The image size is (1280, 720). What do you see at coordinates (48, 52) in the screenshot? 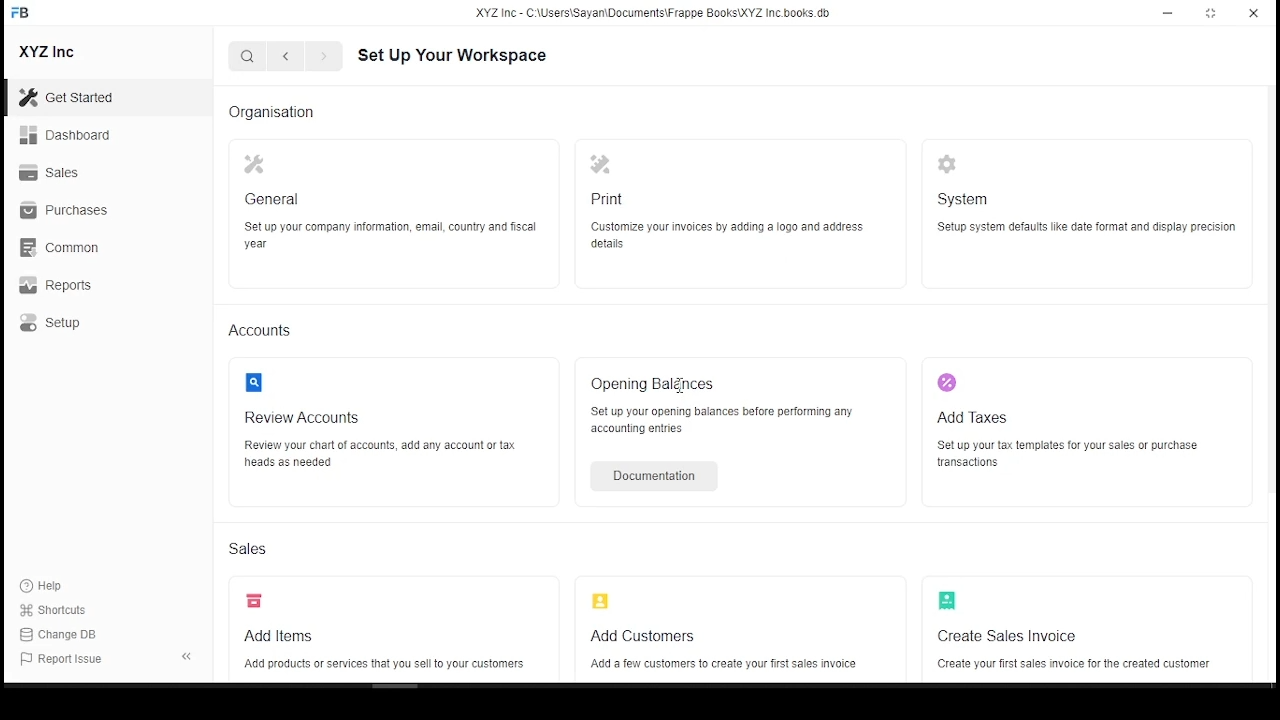
I see `XYZ Inc` at bounding box center [48, 52].